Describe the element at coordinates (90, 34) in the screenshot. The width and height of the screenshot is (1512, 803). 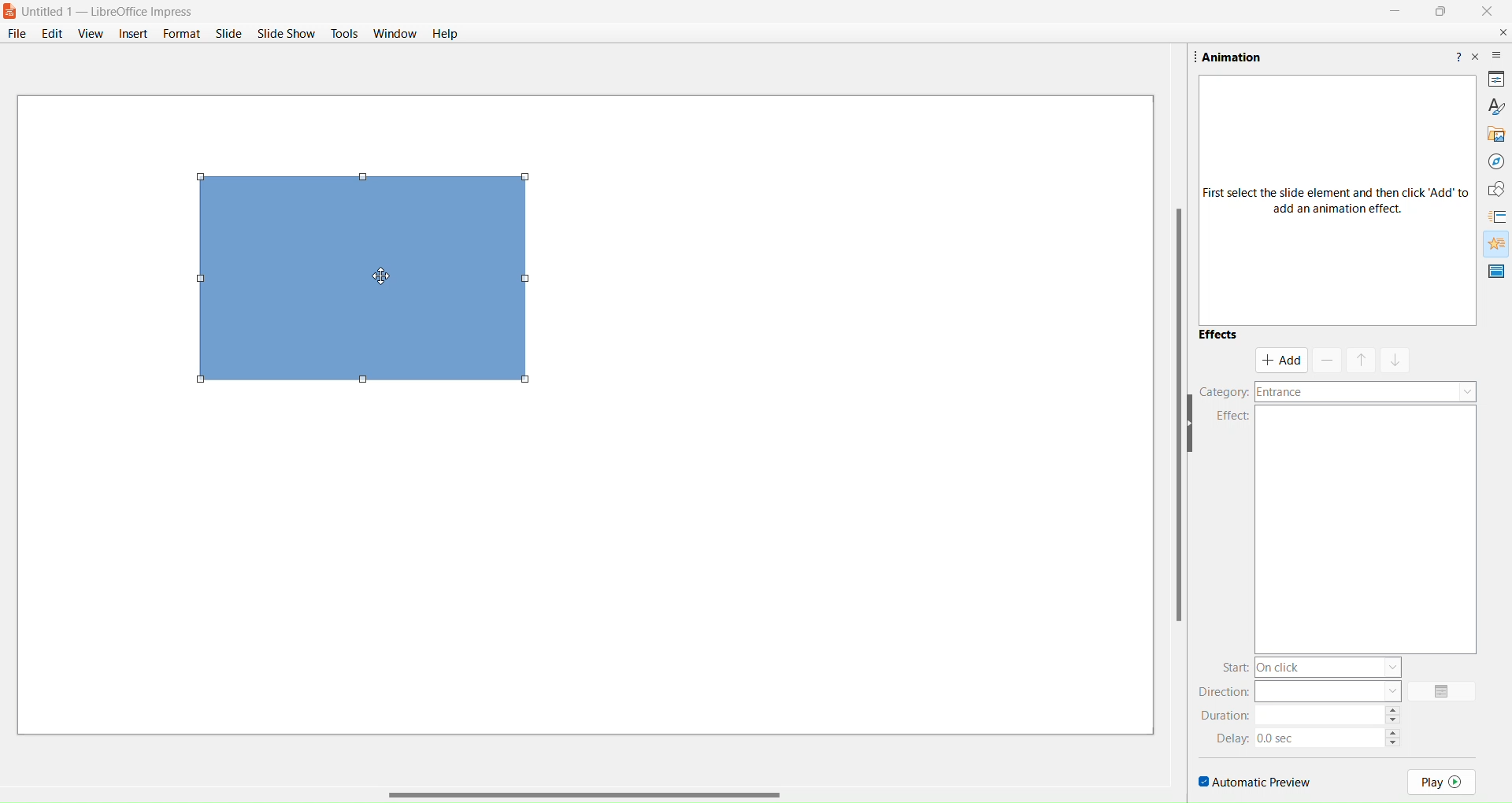
I see `view` at that location.